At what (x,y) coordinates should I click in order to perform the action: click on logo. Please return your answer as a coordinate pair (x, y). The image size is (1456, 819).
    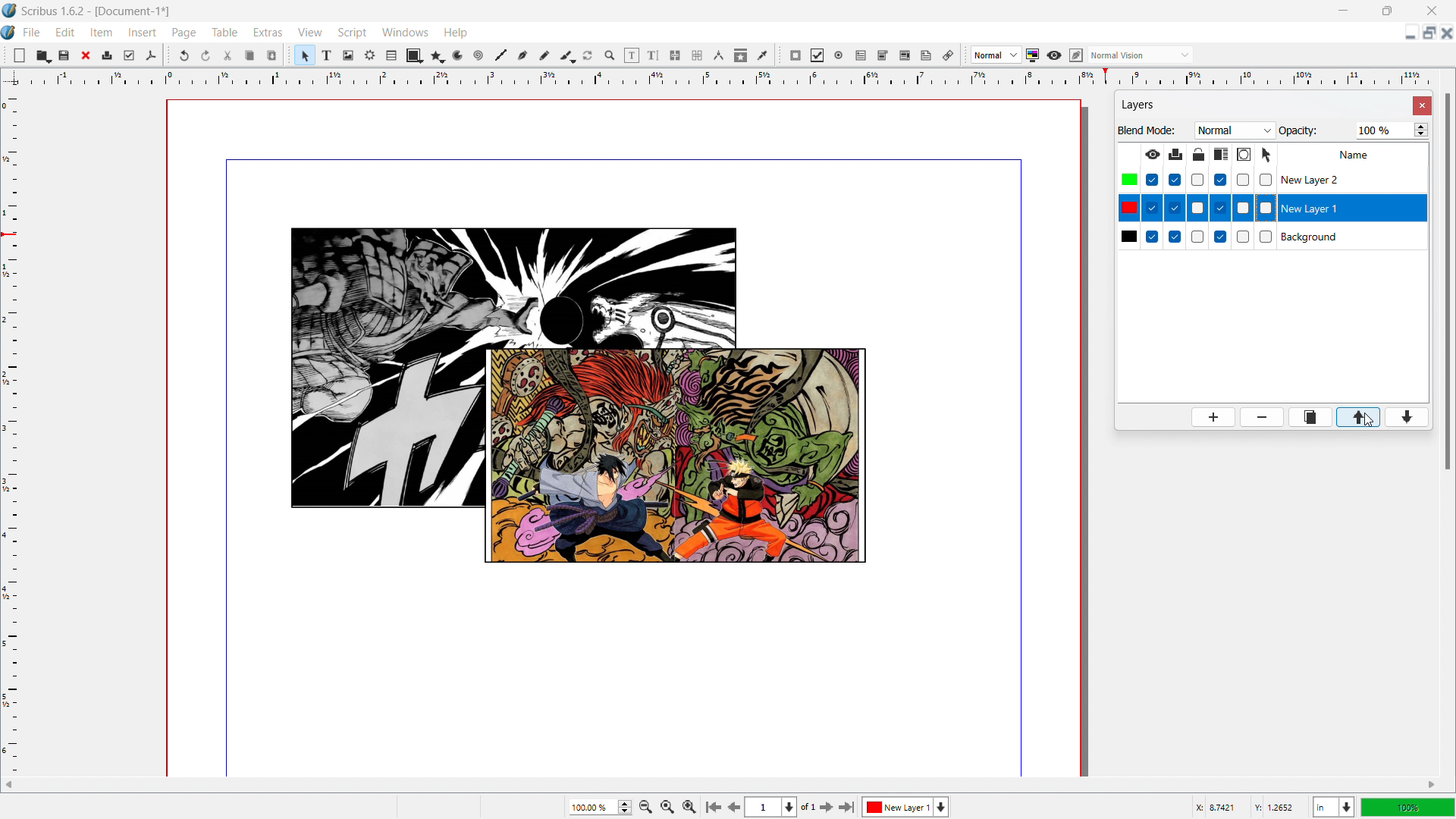
    Looking at the image, I should click on (9, 31).